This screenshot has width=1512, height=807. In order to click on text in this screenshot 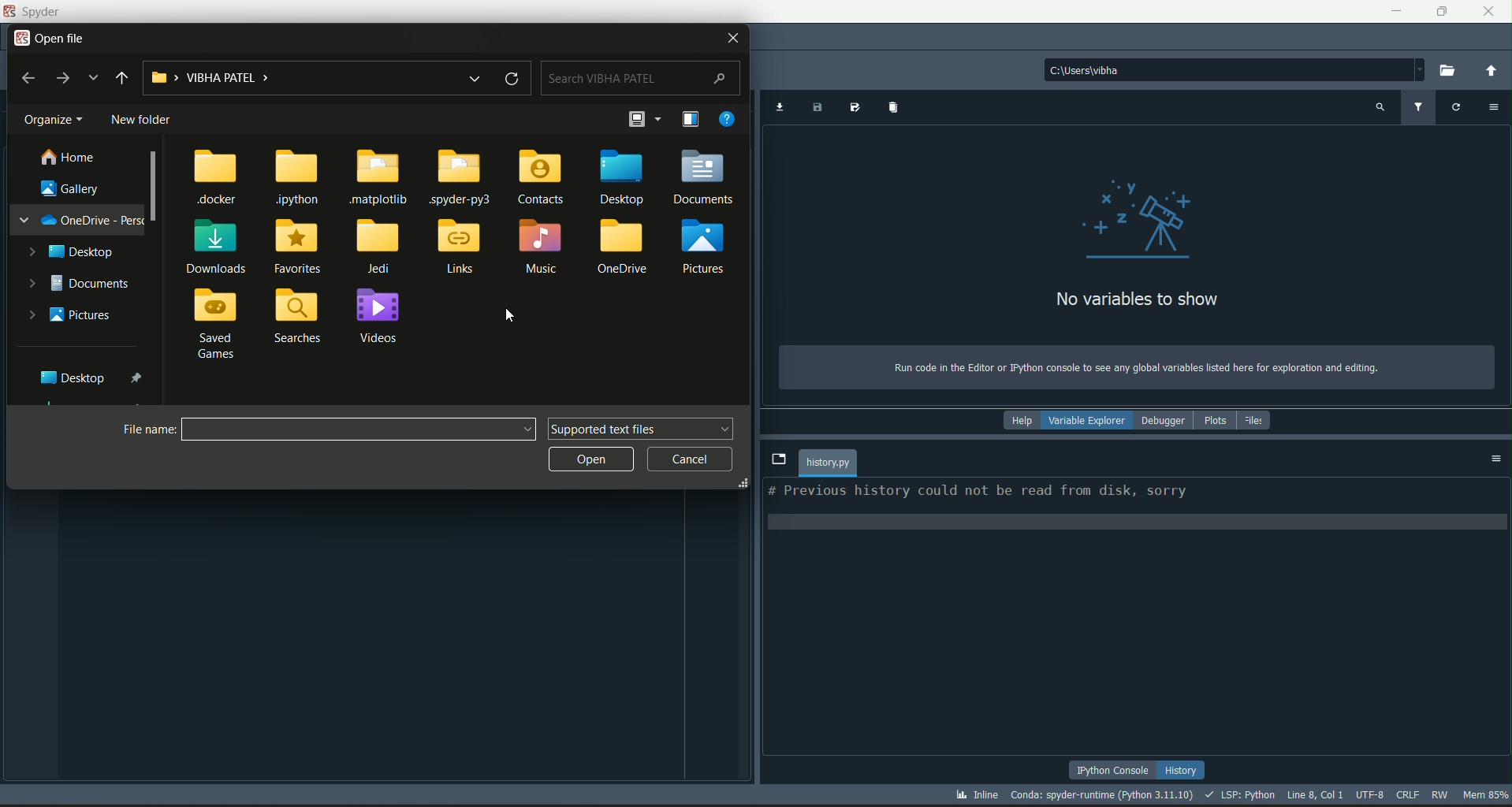, I will do `click(1127, 367)`.